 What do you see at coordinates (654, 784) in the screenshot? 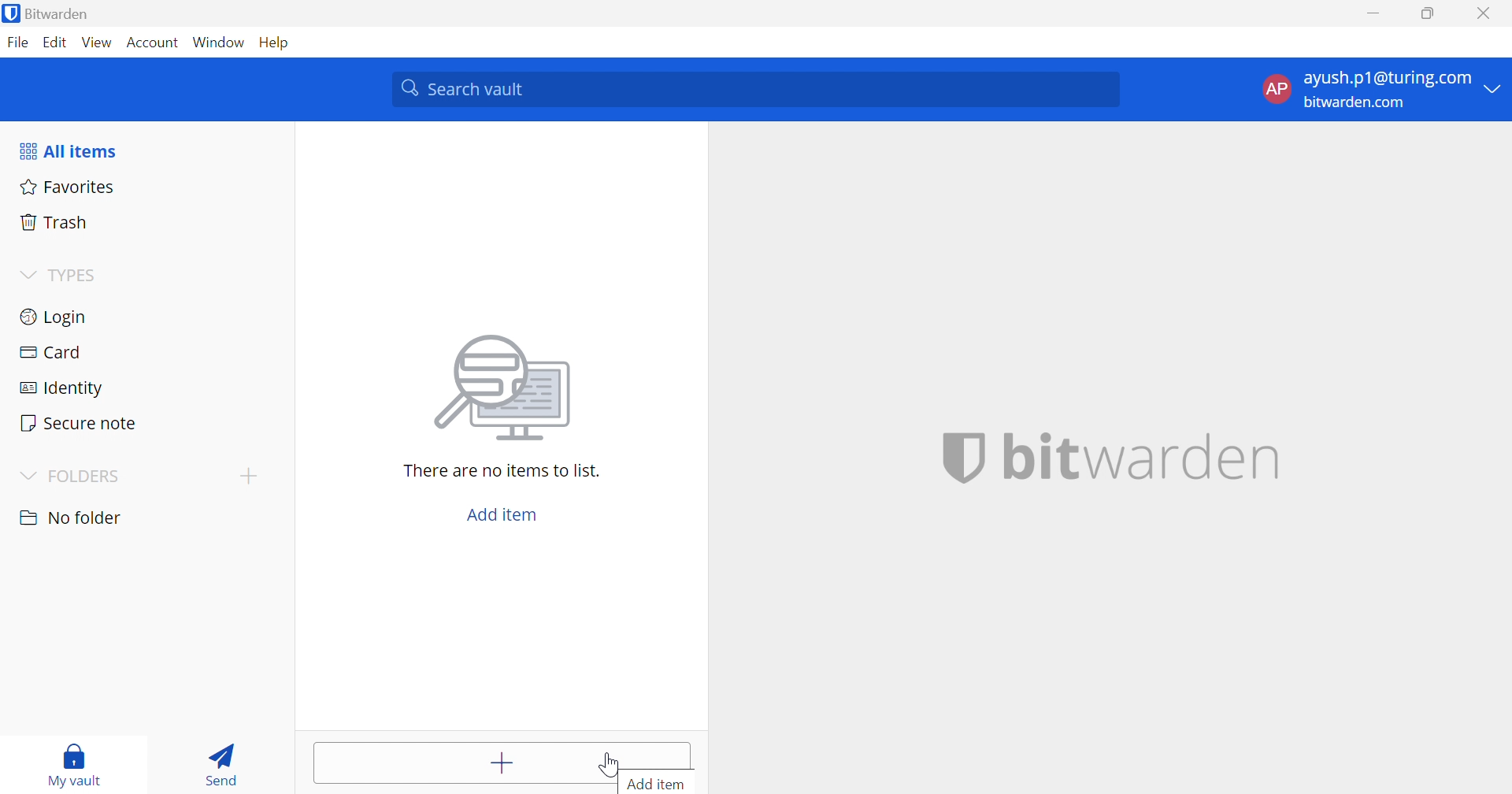
I see `Add item` at bounding box center [654, 784].